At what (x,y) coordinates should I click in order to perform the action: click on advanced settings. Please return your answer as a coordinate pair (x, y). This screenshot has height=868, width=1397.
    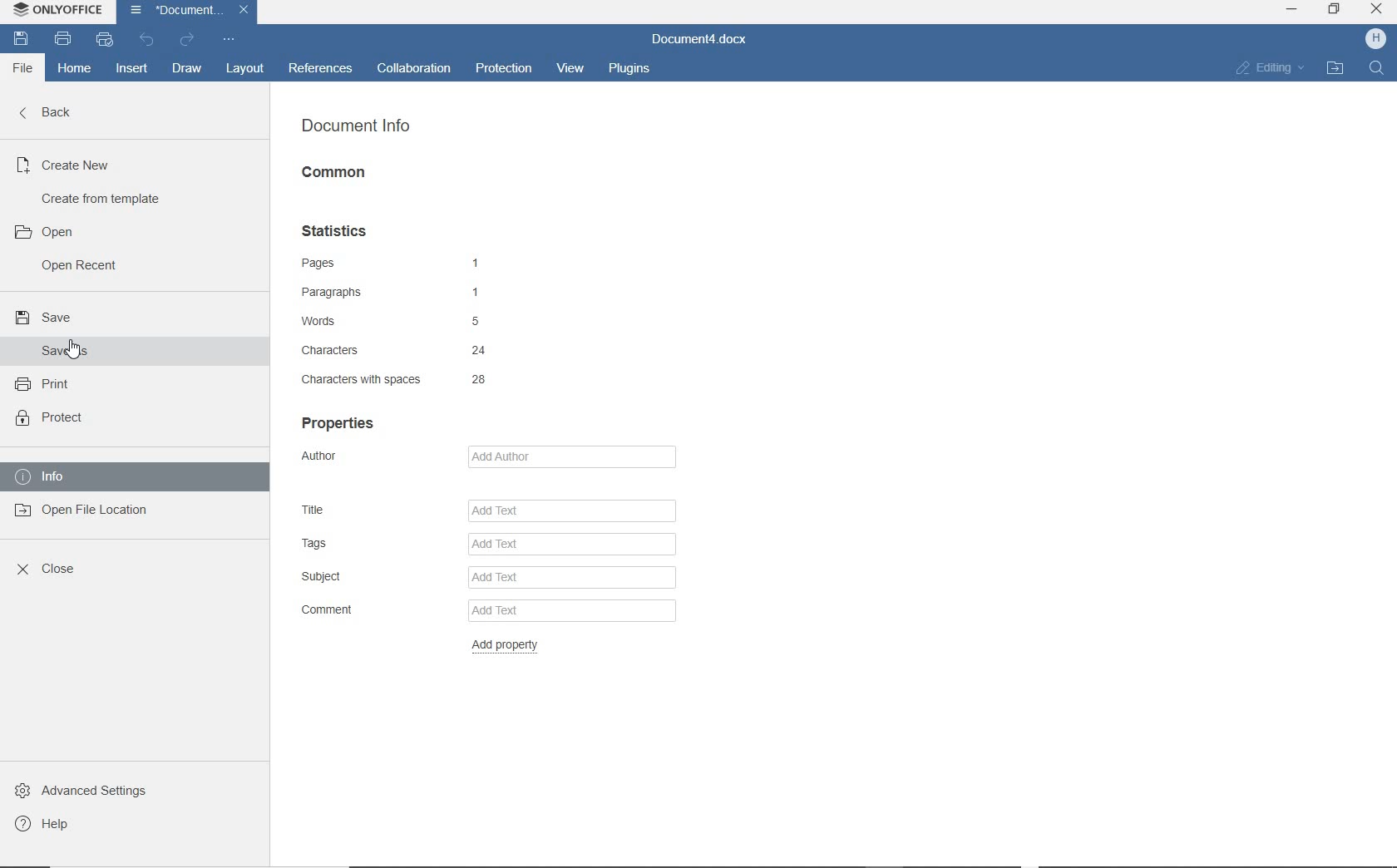
    Looking at the image, I should click on (80, 789).